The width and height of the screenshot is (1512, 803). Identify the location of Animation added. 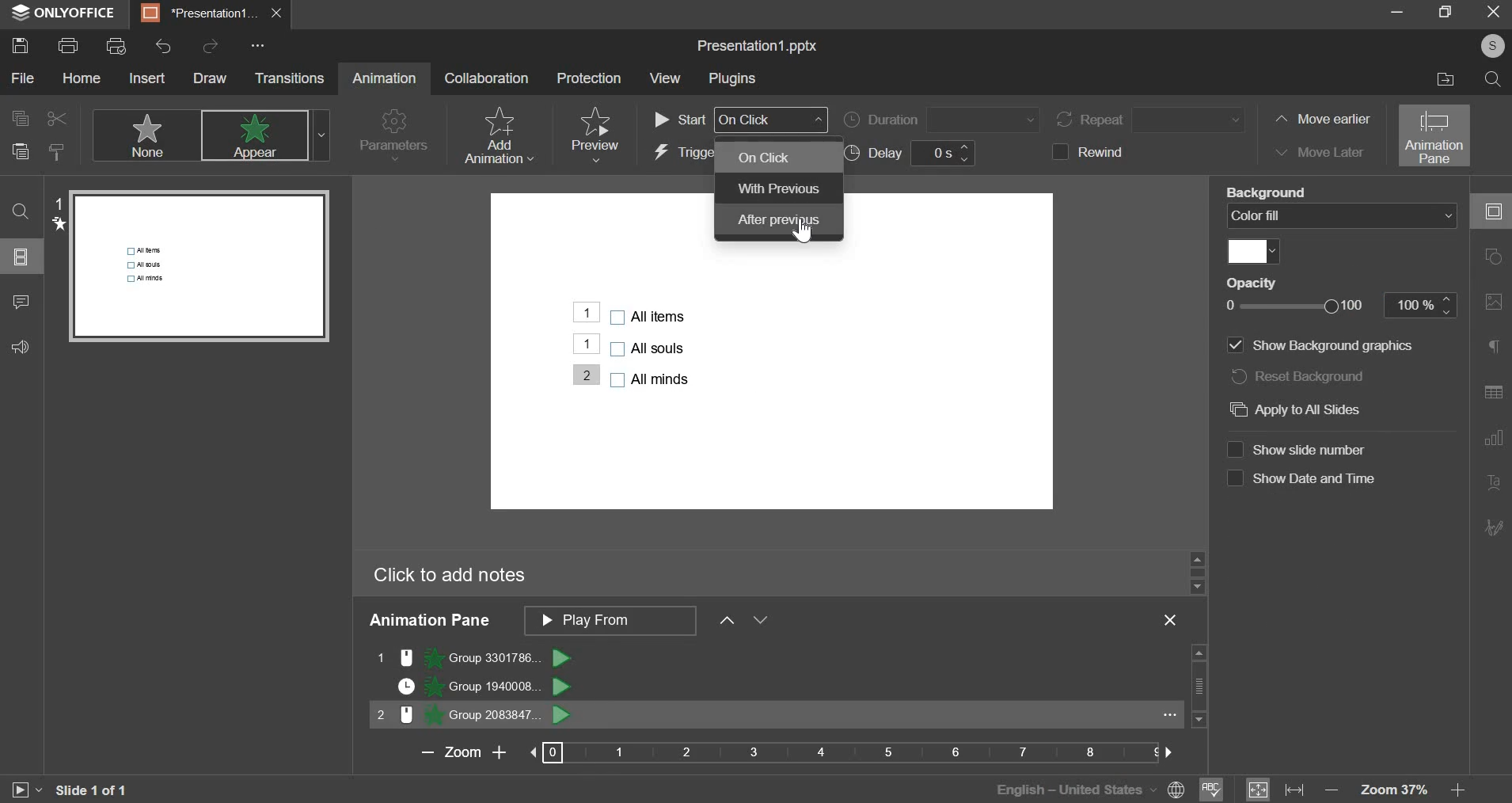
(587, 375).